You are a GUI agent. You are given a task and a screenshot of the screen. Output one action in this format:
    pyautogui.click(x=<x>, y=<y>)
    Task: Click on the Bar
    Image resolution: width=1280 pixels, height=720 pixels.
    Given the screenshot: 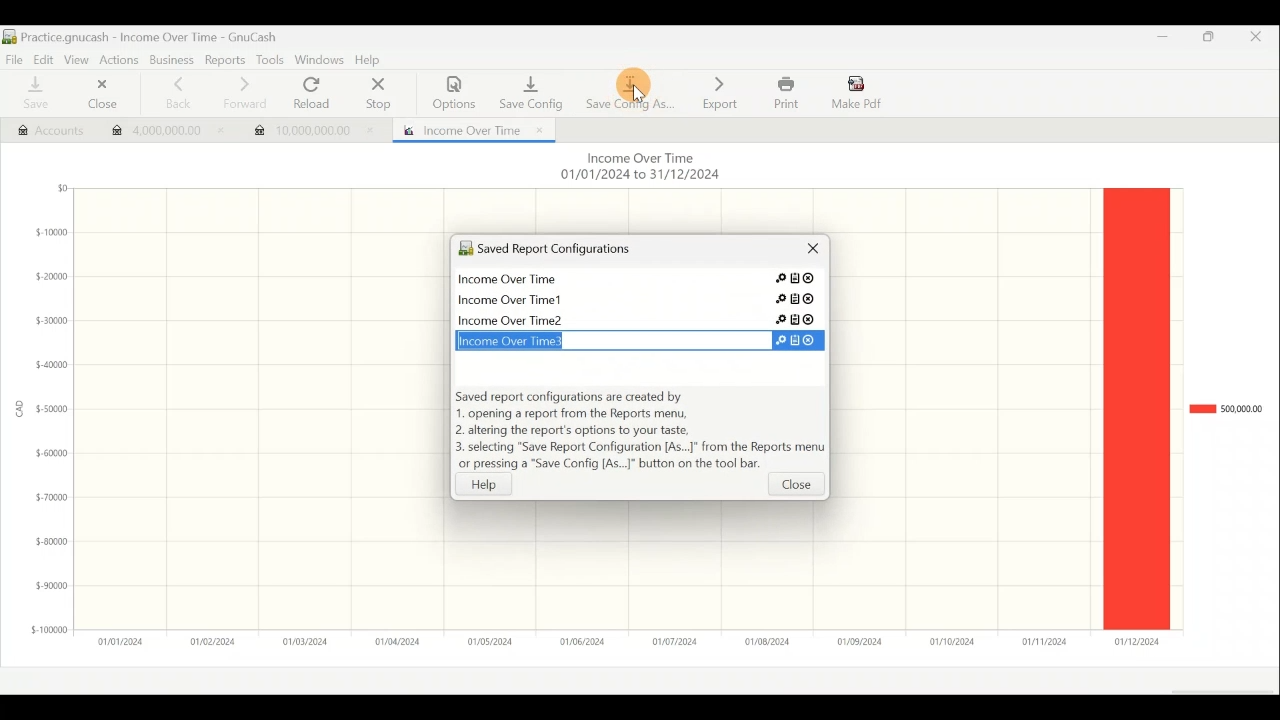 What is the action you would take?
    pyautogui.click(x=1136, y=408)
    